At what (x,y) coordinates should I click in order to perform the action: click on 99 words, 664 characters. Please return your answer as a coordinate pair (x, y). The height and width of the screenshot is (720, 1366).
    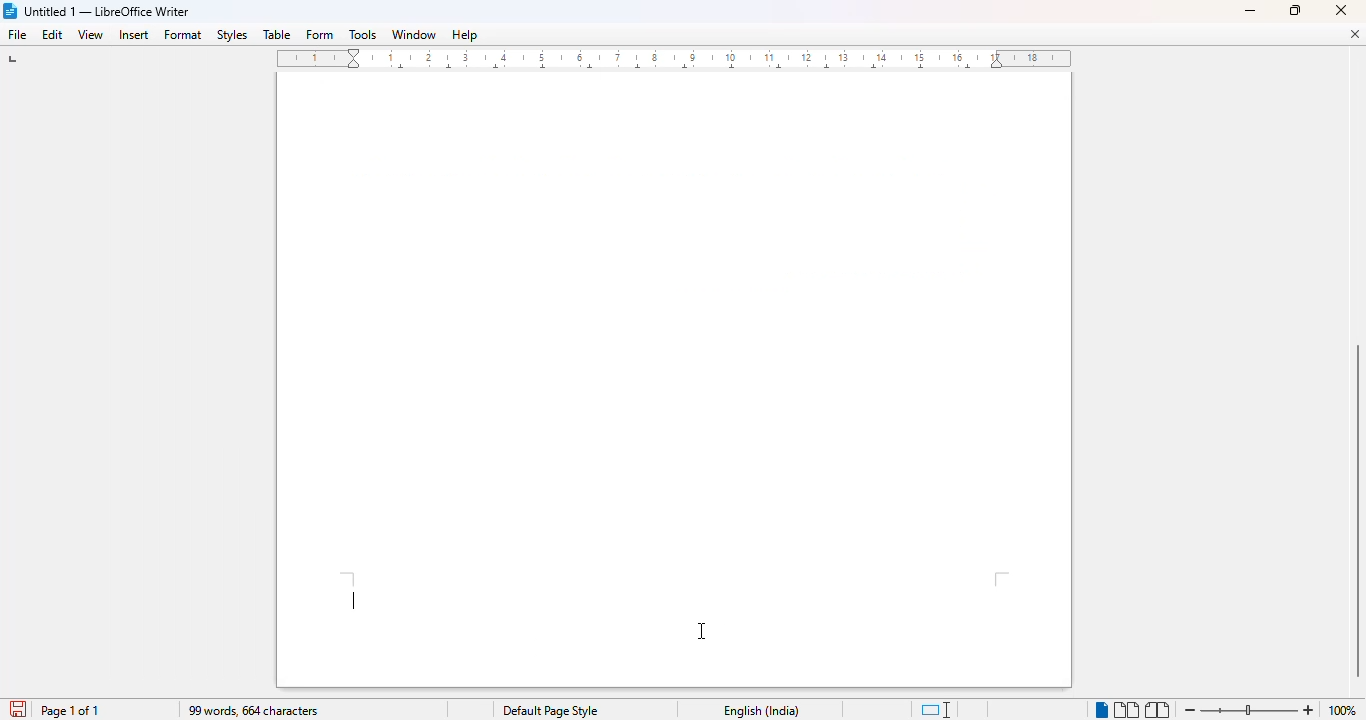
    Looking at the image, I should click on (255, 711).